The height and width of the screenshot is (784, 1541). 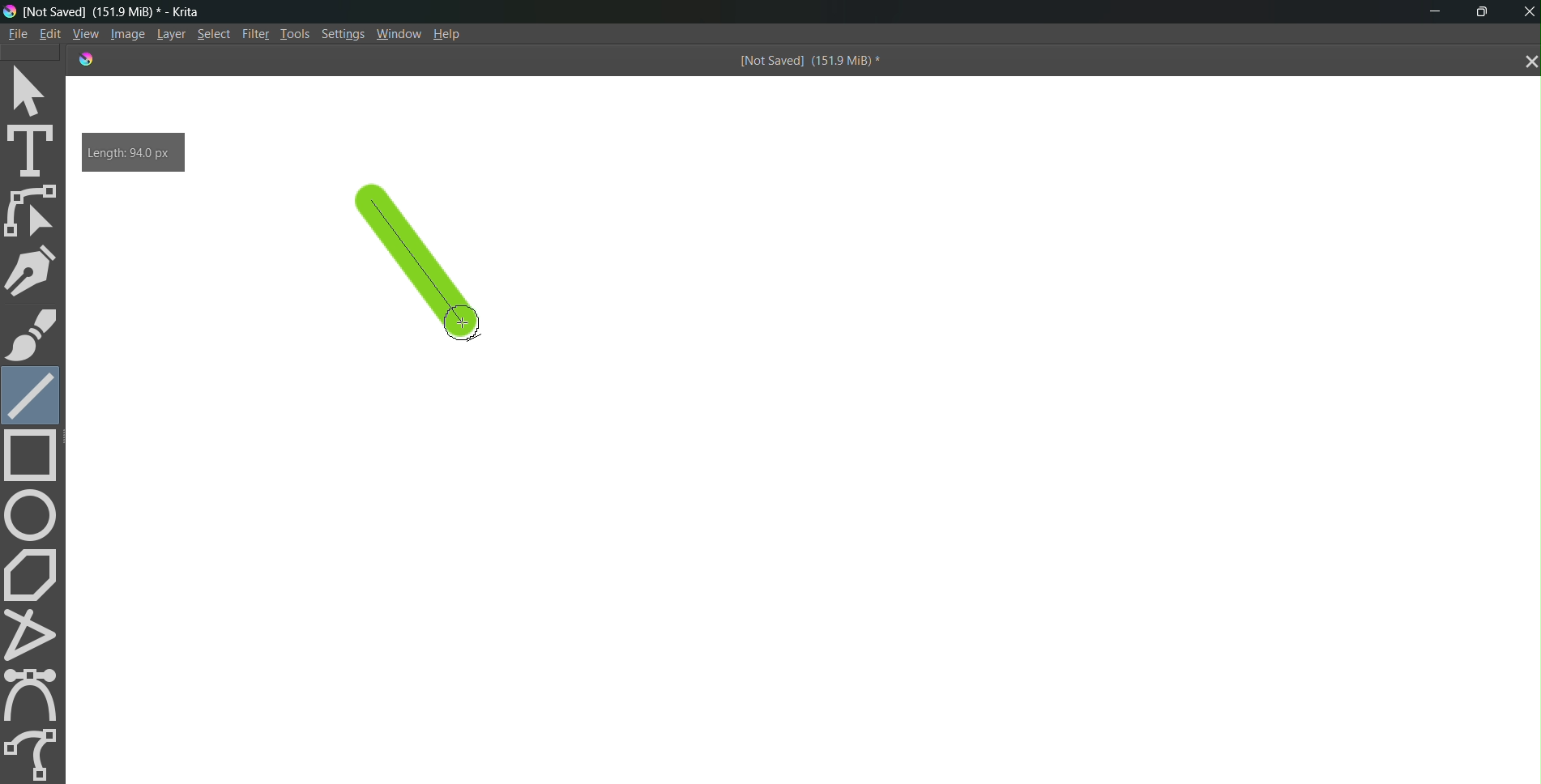 I want to click on line, so click(x=428, y=275).